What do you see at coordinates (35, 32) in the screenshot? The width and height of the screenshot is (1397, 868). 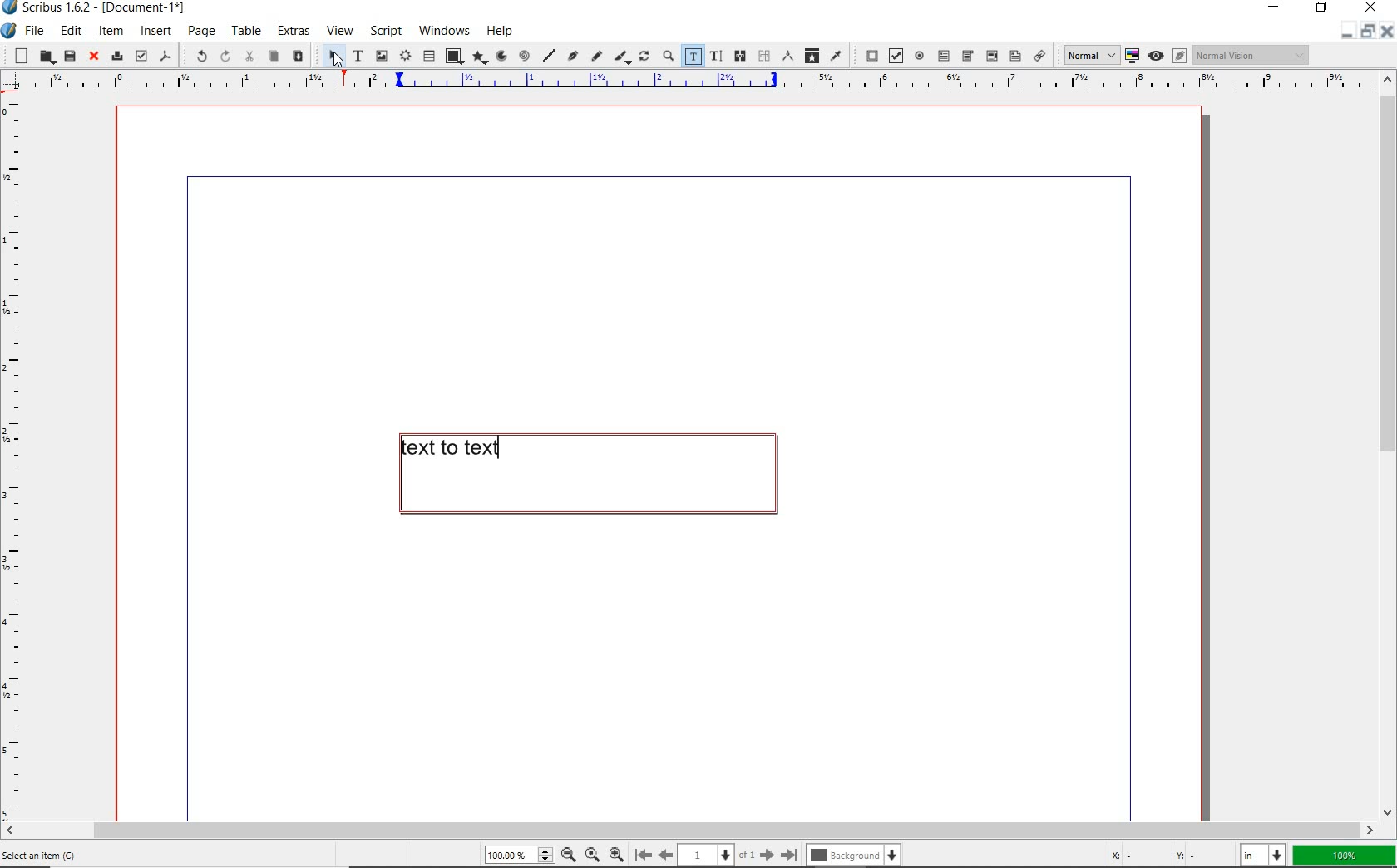 I see `file` at bounding box center [35, 32].